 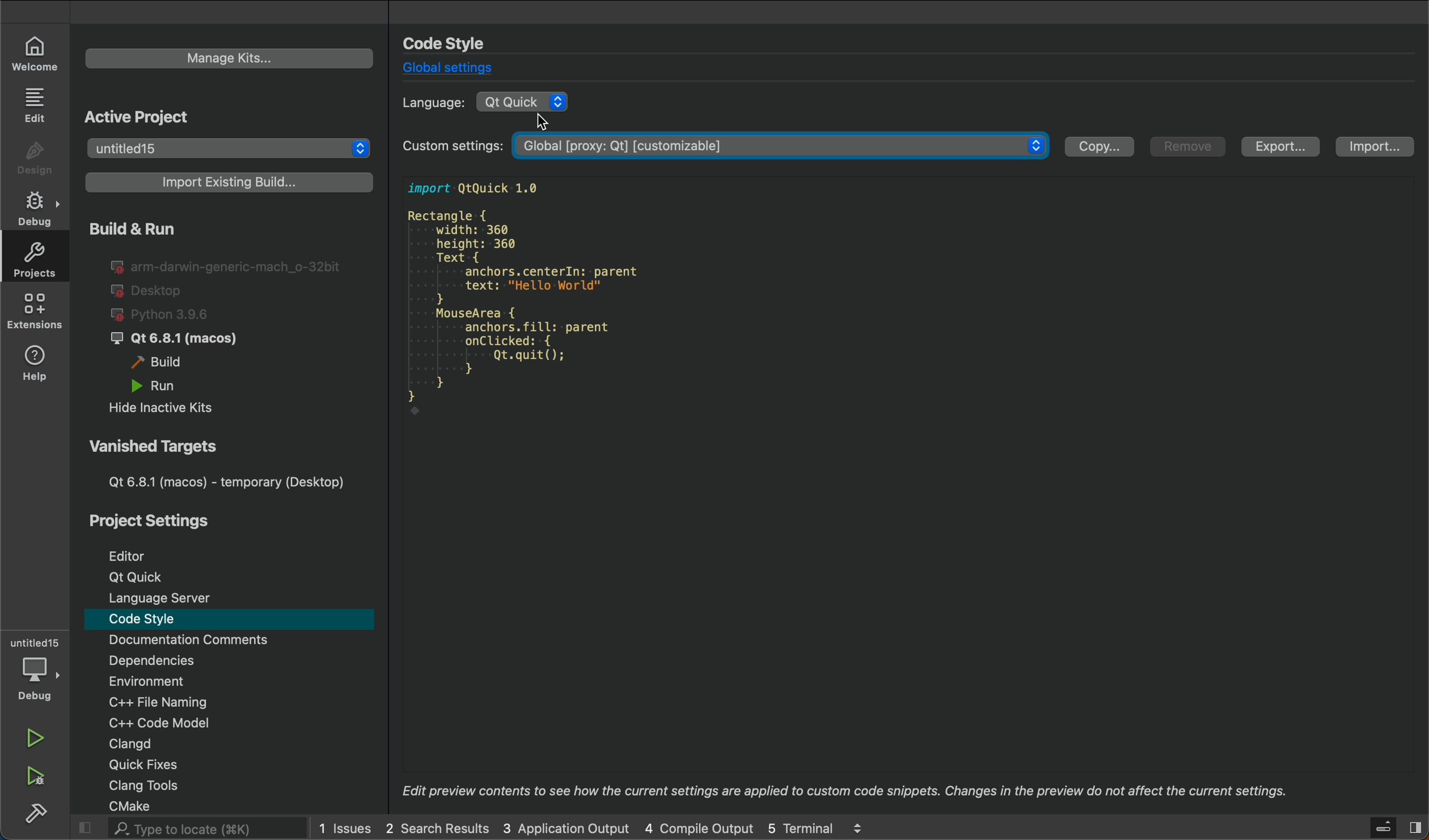 What do you see at coordinates (230, 58) in the screenshot?
I see `manage kit` at bounding box center [230, 58].